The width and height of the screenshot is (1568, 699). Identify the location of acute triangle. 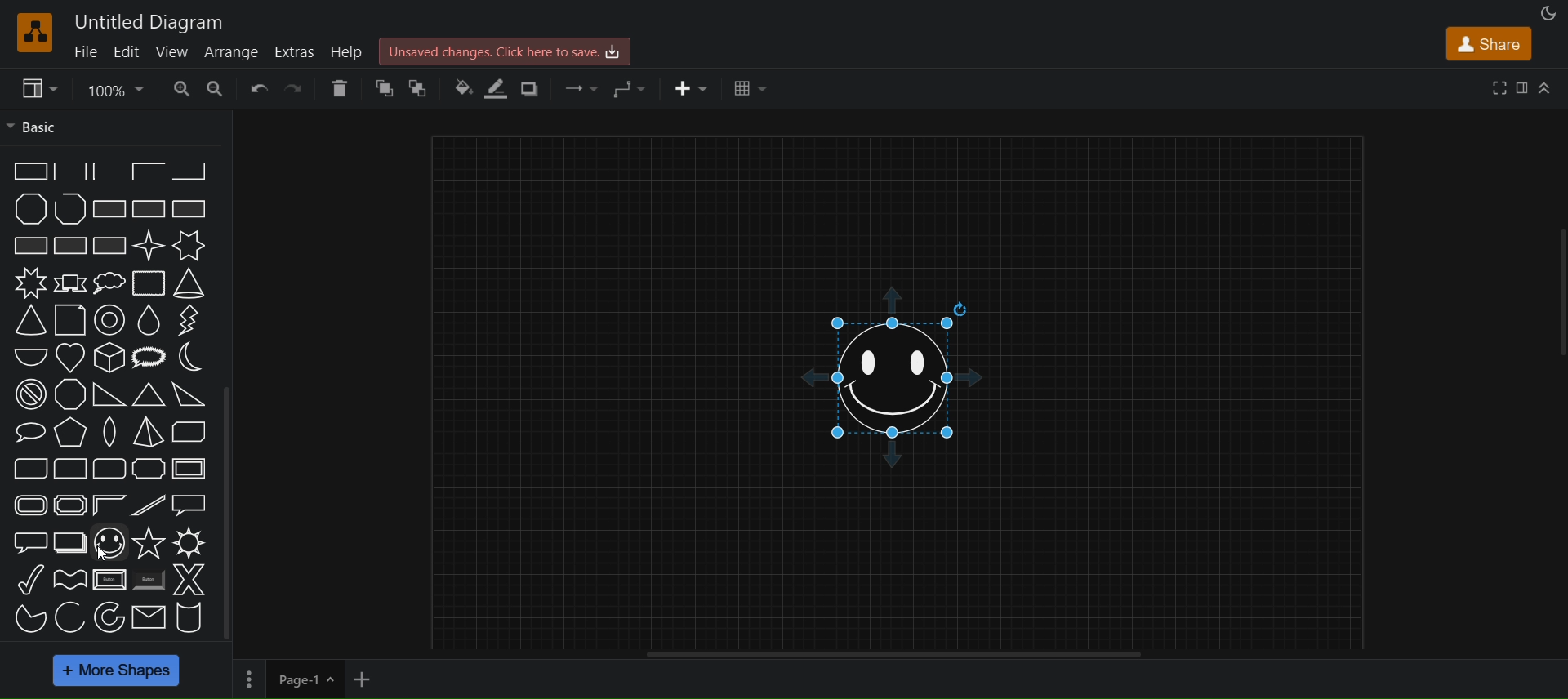
(189, 398).